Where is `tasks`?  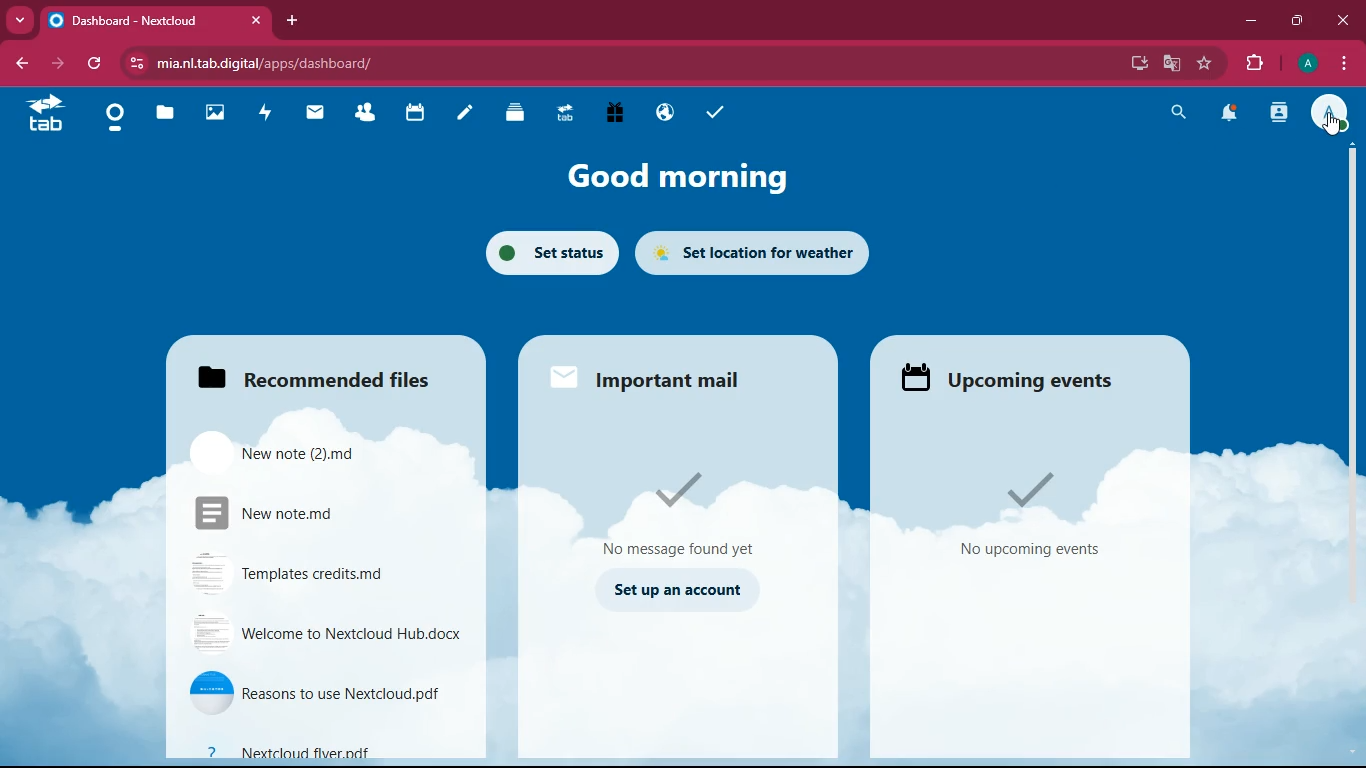 tasks is located at coordinates (709, 112).